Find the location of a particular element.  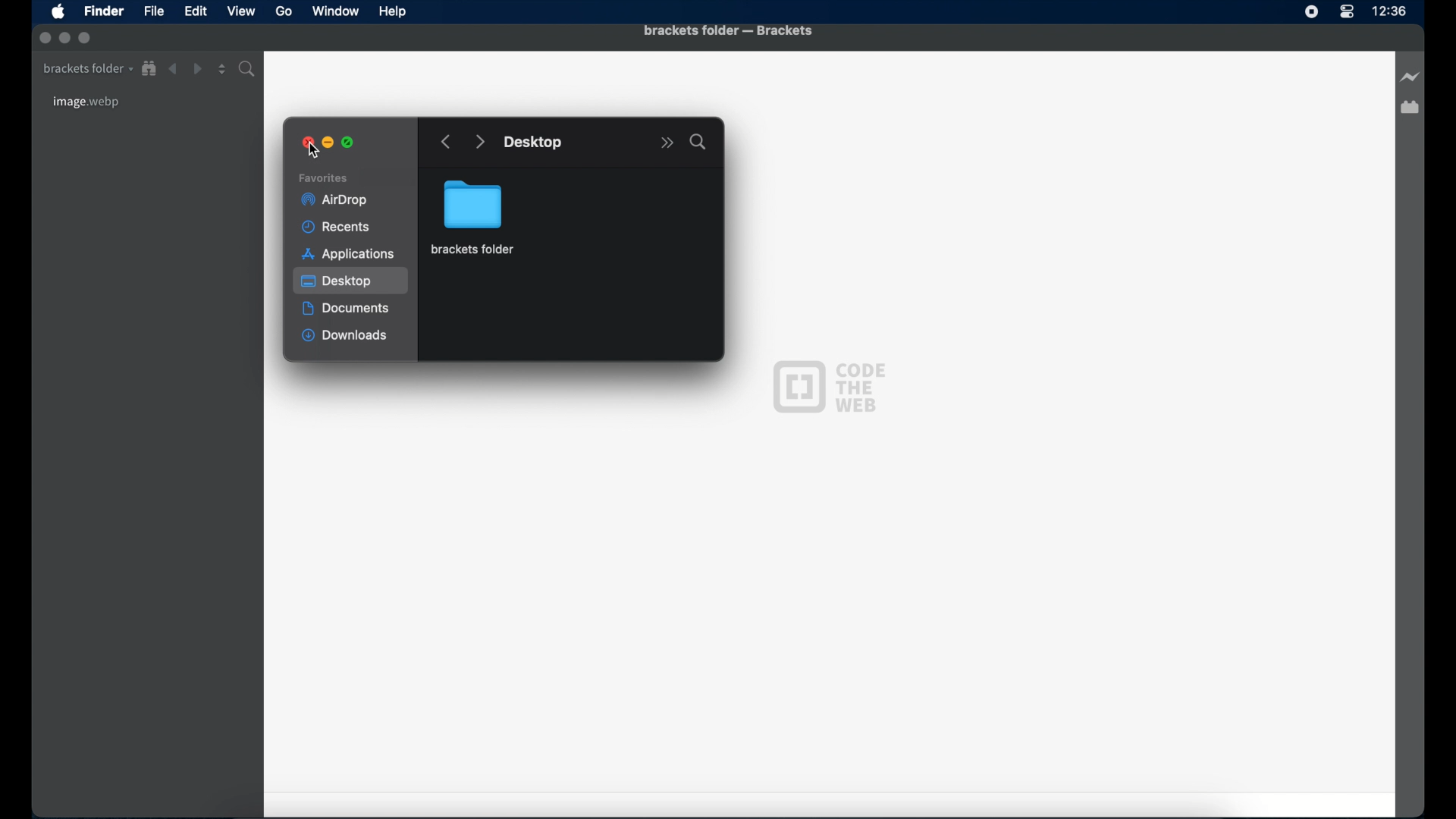

Finder is located at coordinates (105, 11).